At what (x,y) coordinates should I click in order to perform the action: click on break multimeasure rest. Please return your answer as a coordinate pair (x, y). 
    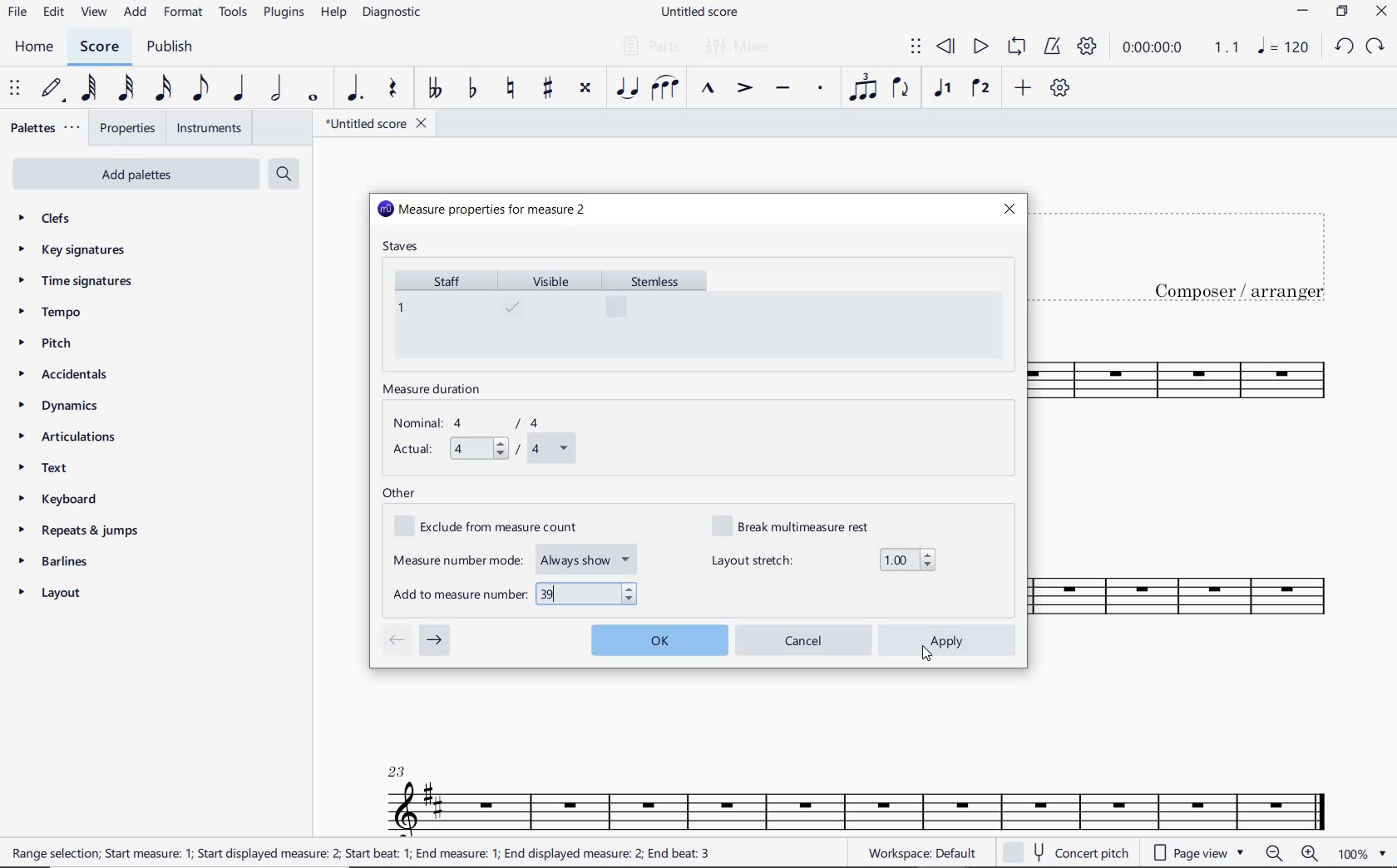
    Looking at the image, I should click on (802, 525).